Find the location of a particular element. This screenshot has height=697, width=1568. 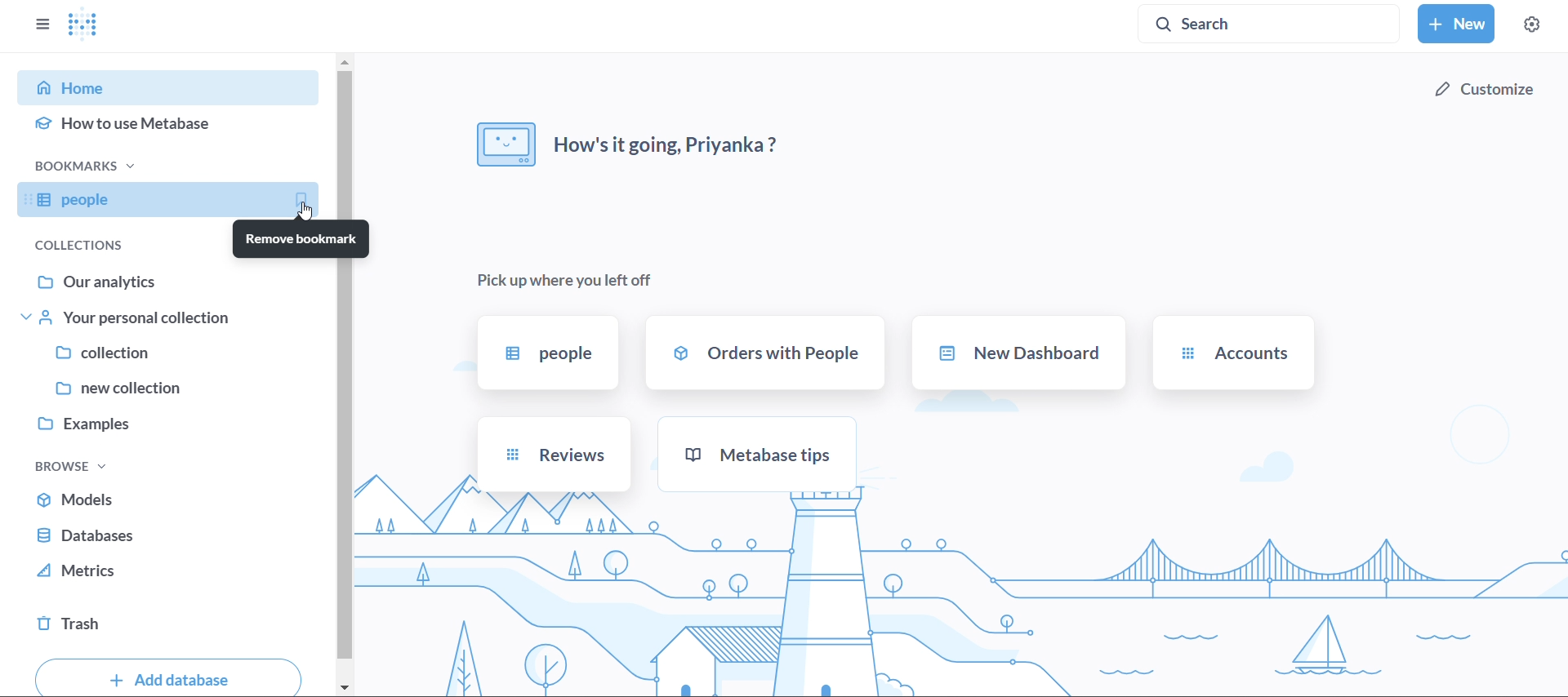

models is located at coordinates (168, 500).